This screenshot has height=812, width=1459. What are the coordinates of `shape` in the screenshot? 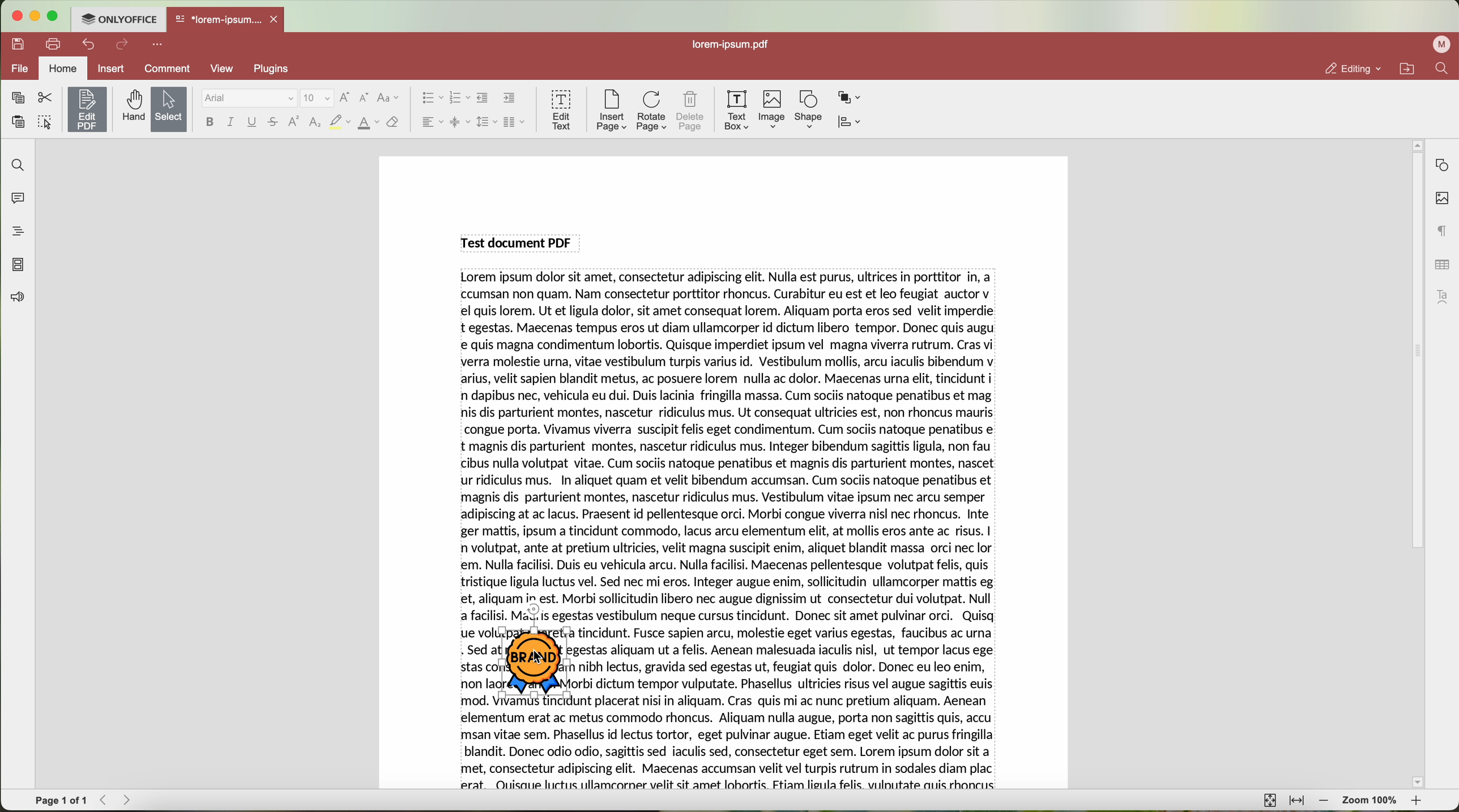 It's located at (809, 110).